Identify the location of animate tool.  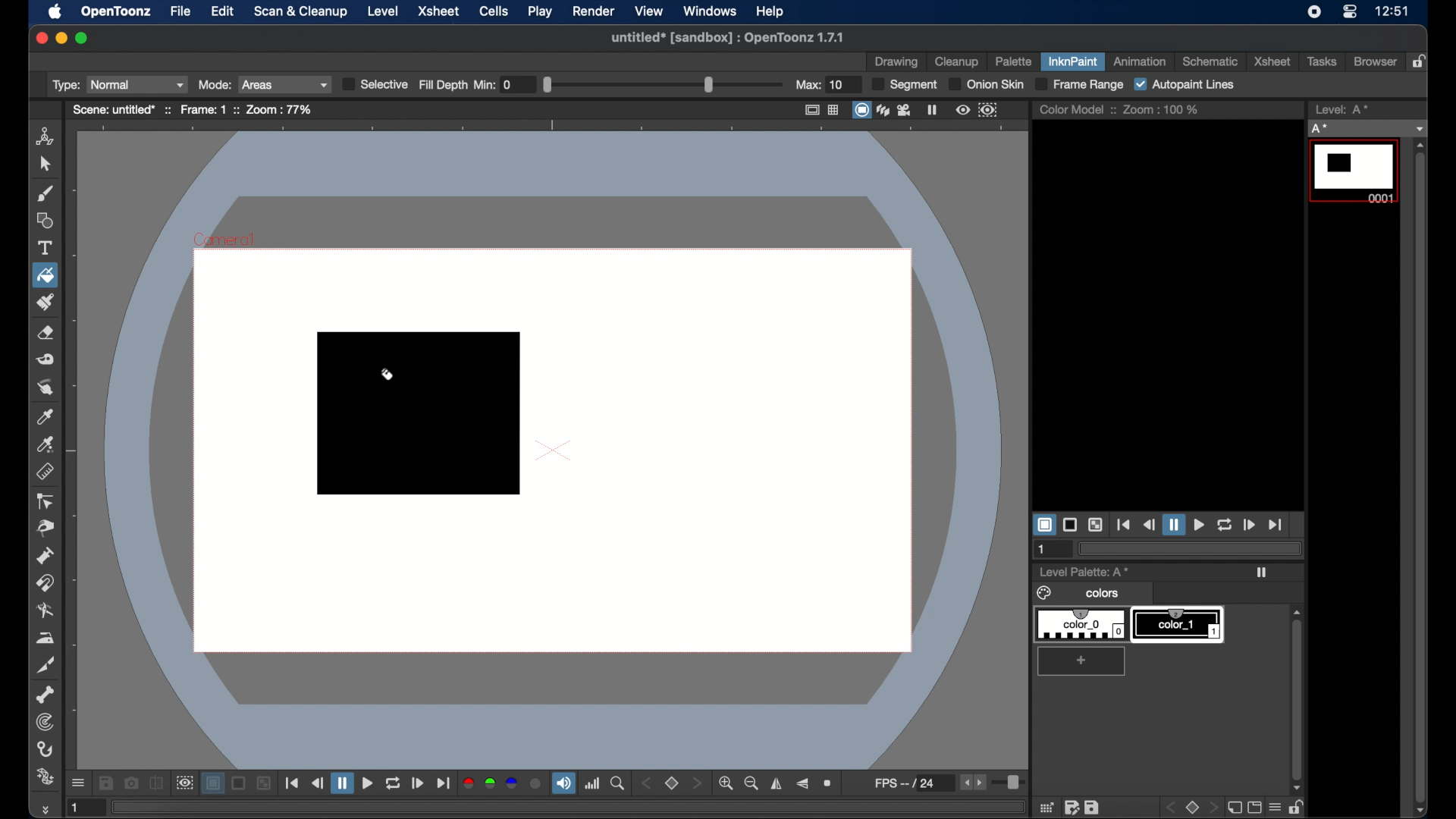
(45, 136).